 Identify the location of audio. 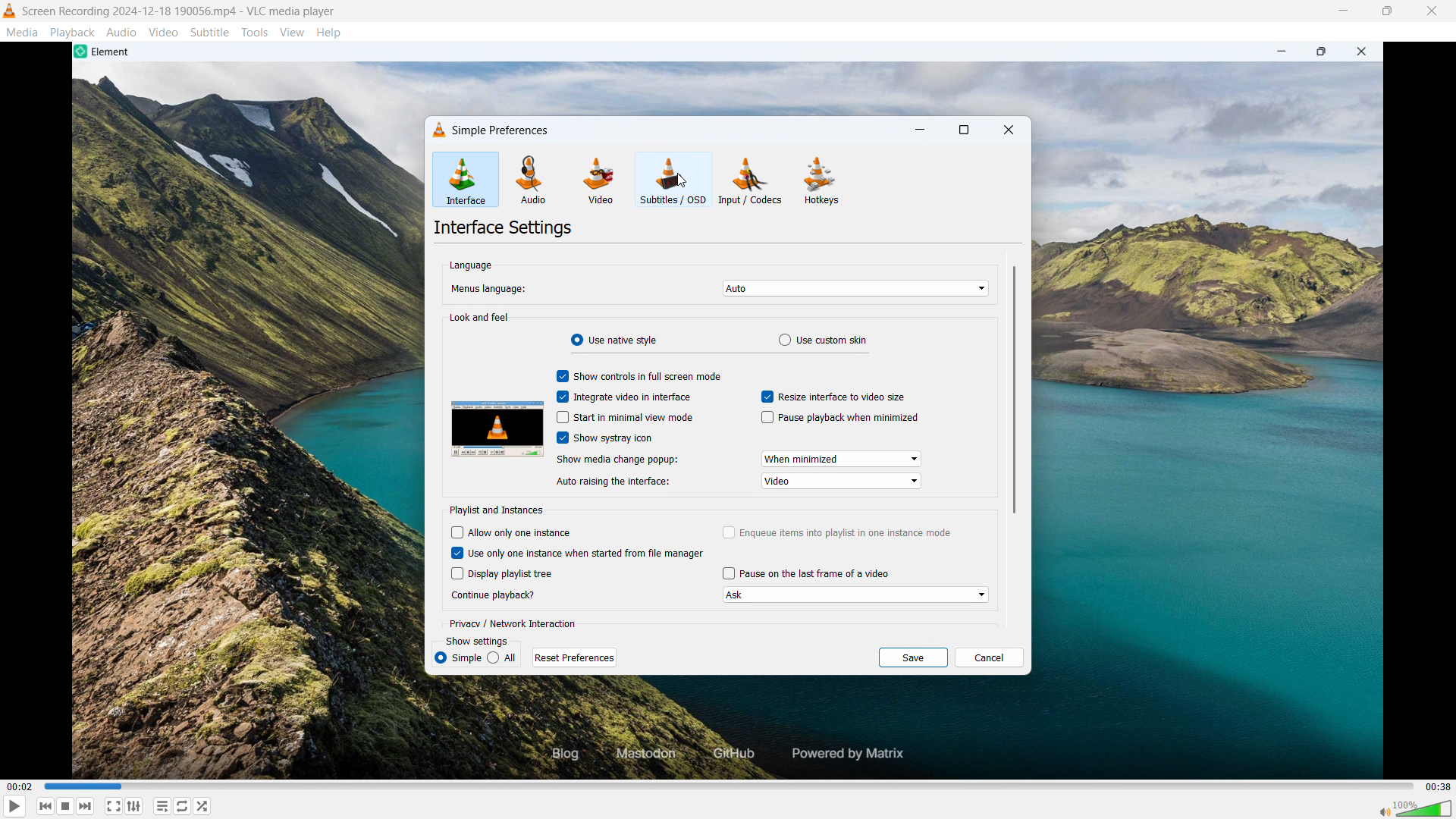
(533, 180).